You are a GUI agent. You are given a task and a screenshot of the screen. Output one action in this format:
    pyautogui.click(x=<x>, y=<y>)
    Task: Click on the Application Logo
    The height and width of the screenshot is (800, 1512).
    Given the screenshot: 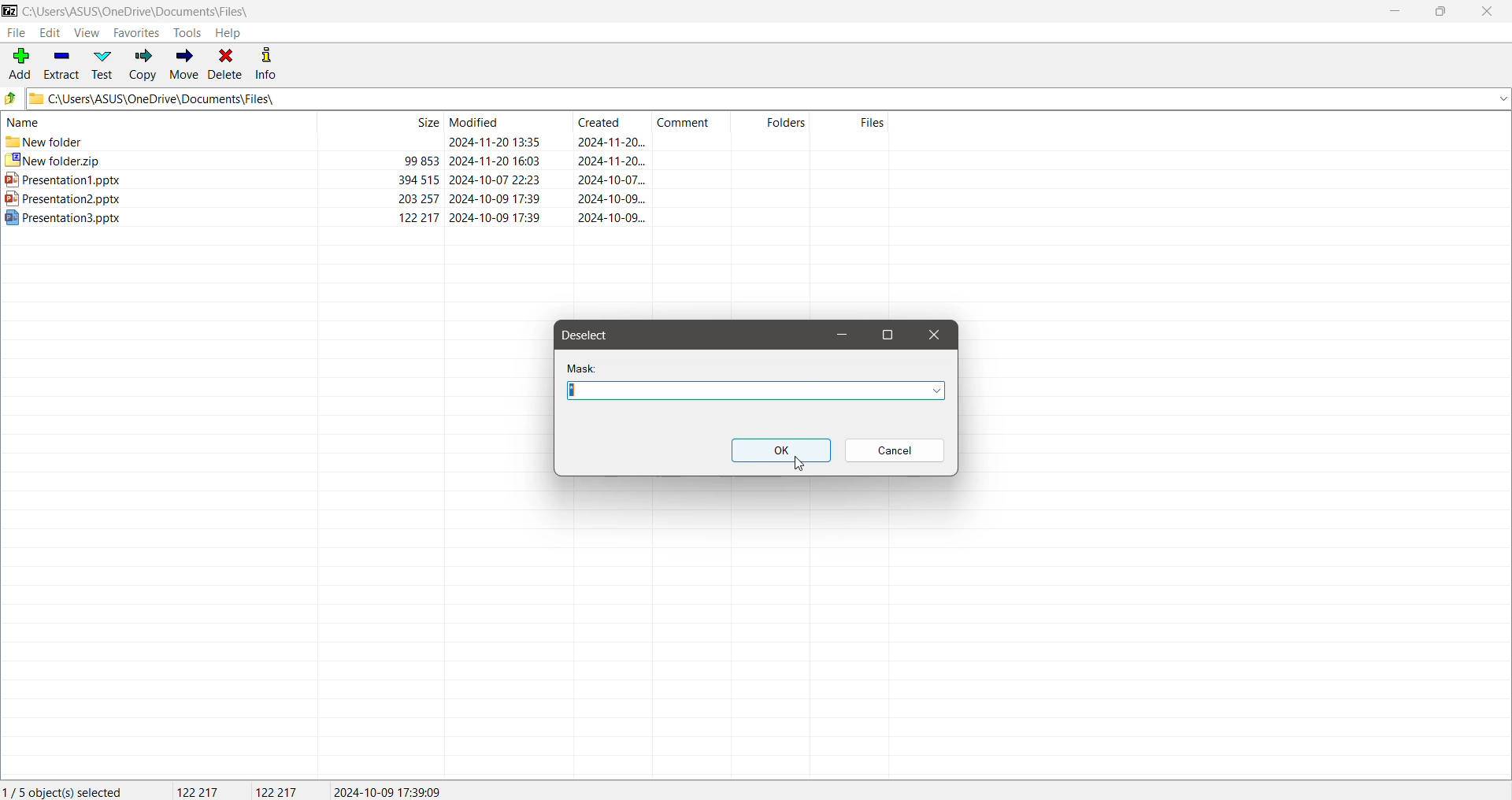 What is the action you would take?
    pyautogui.click(x=9, y=9)
    